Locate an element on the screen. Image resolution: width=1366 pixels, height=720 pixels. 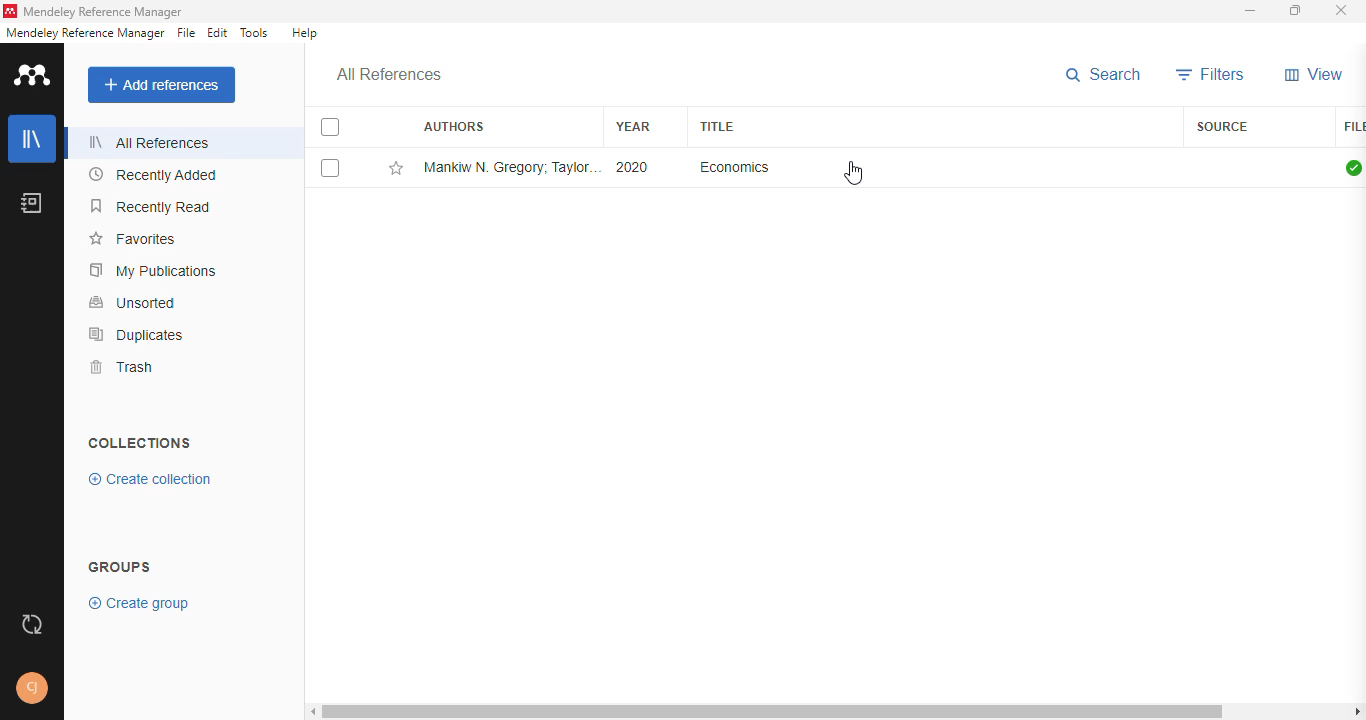
all references is located at coordinates (151, 142).